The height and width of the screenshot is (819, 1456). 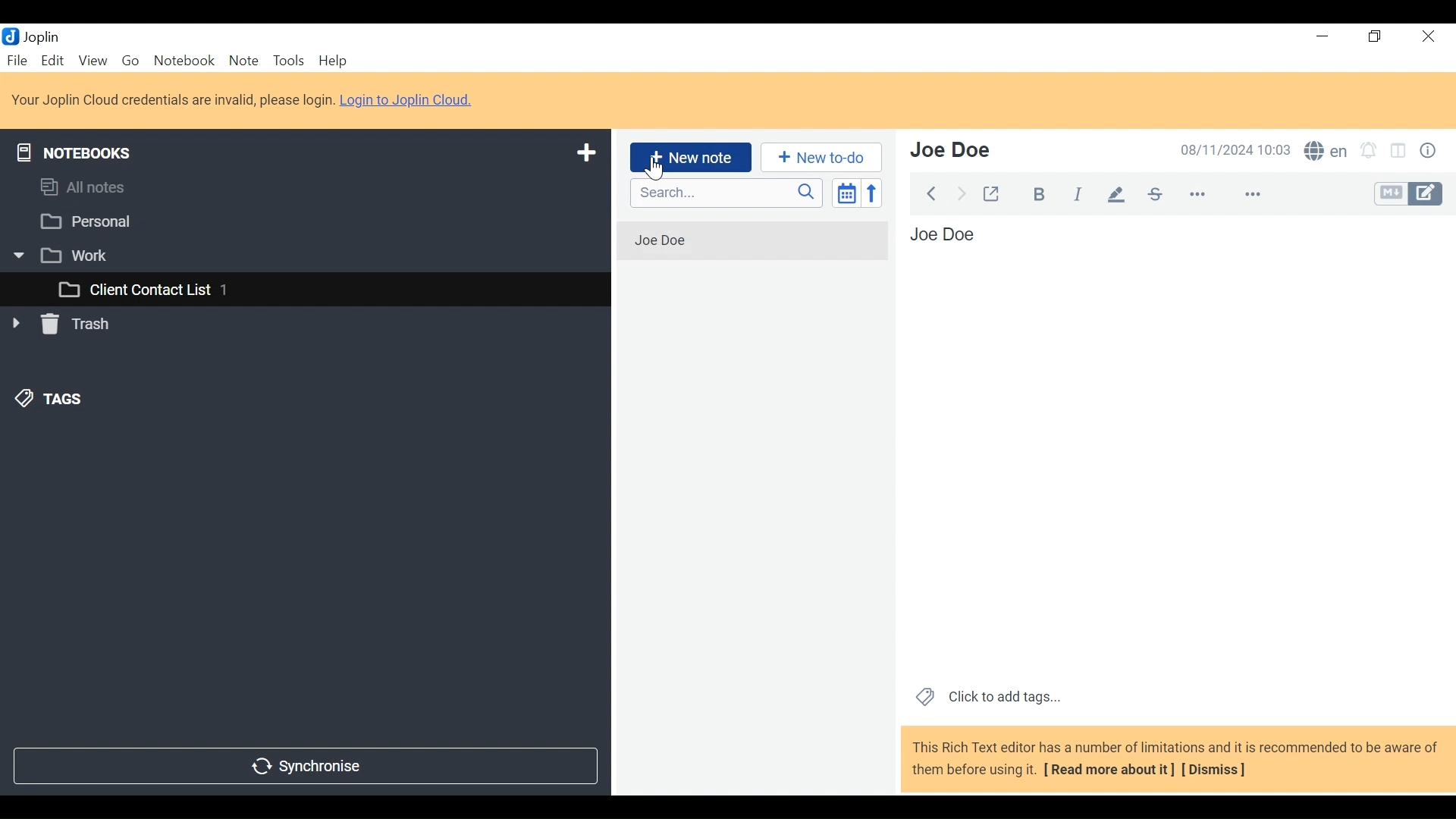 What do you see at coordinates (994, 194) in the screenshot?
I see `Toggle external editing` at bounding box center [994, 194].